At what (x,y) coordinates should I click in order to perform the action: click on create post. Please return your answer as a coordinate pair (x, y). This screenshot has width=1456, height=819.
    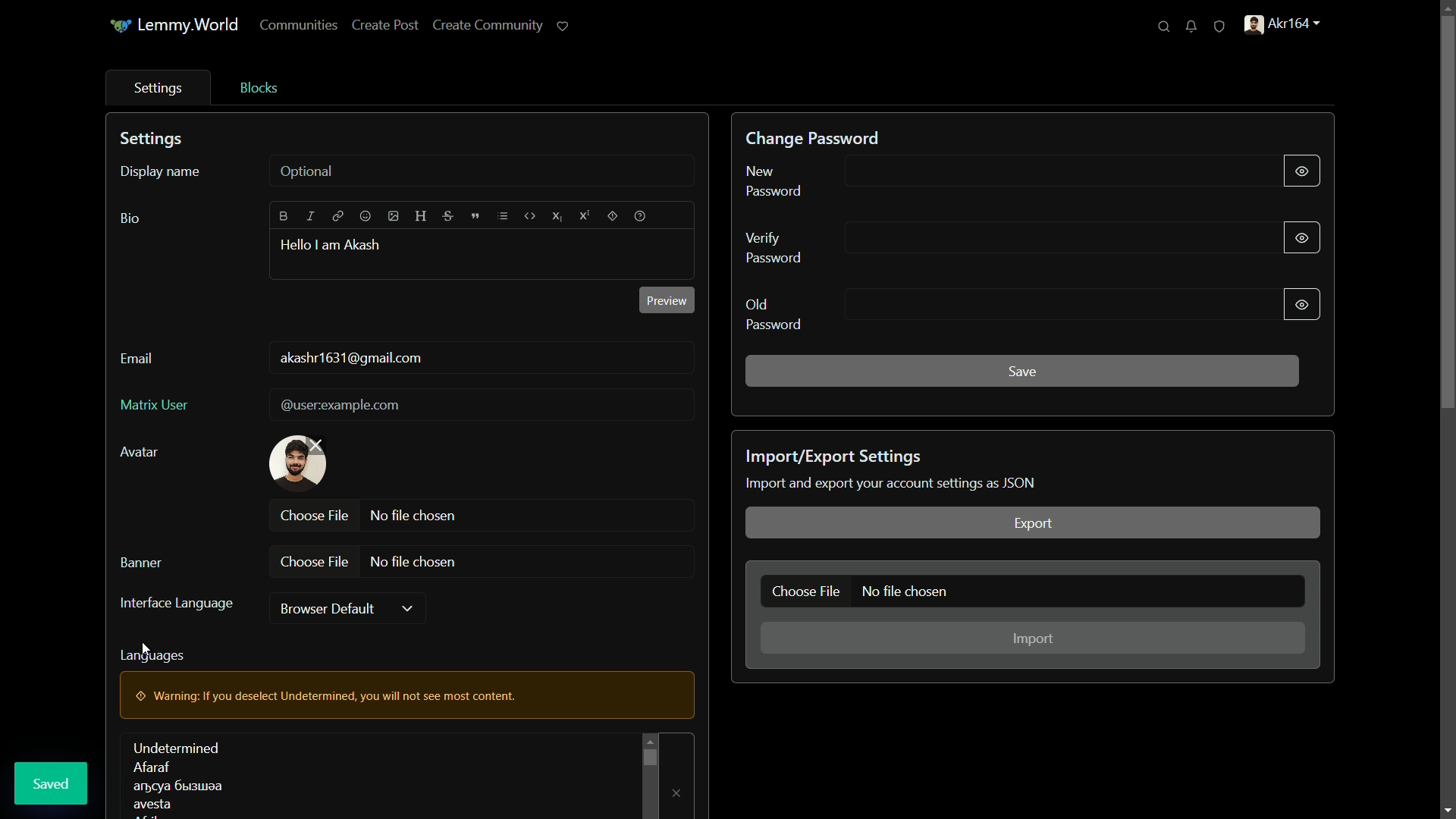
    Looking at the image, I should click on (384, 24).